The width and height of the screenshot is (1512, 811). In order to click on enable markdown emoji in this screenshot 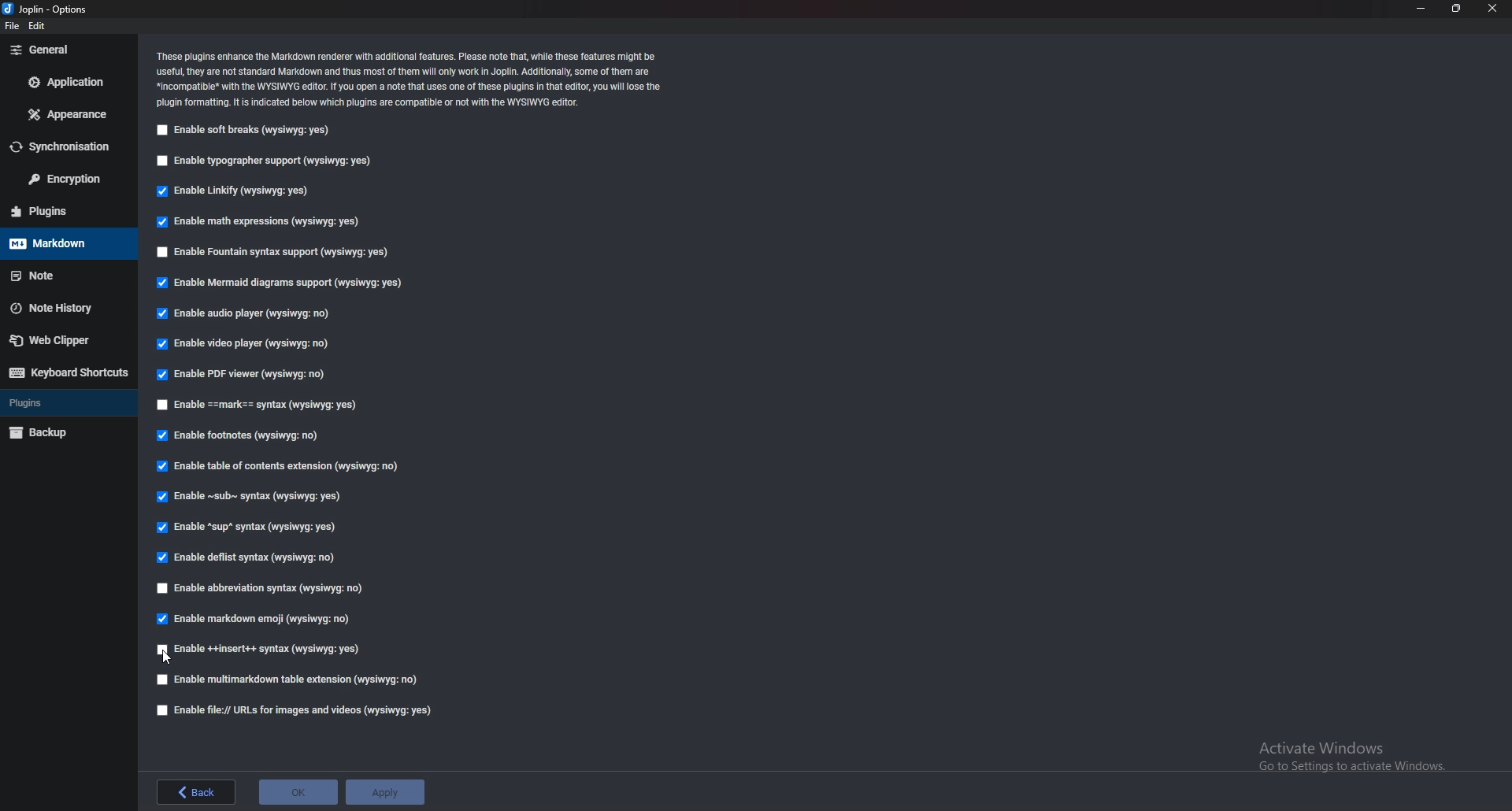, I will do `click(258, 619)`.